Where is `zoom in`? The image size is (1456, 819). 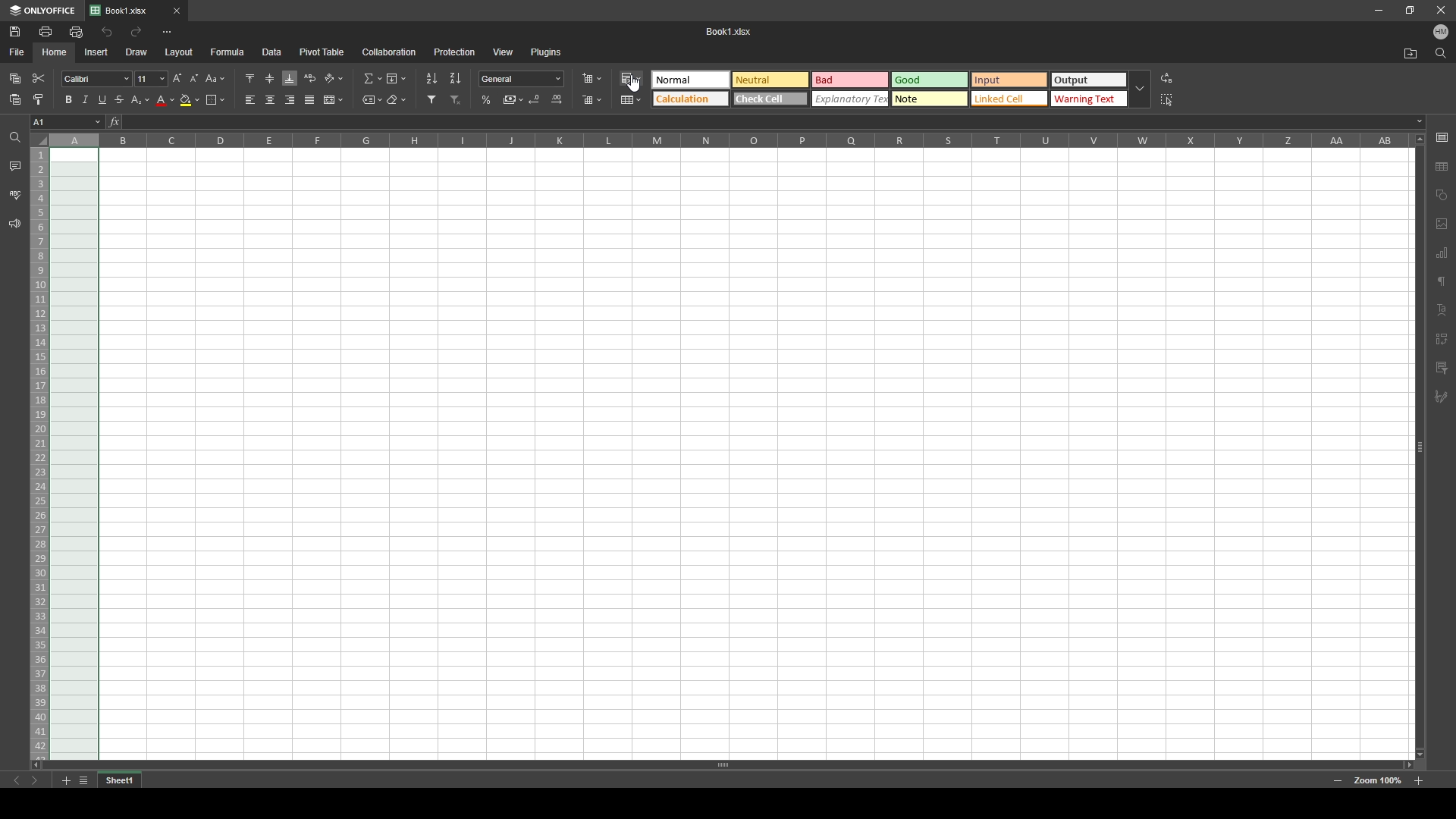 zoom in is located at coordinates (1418, 781).